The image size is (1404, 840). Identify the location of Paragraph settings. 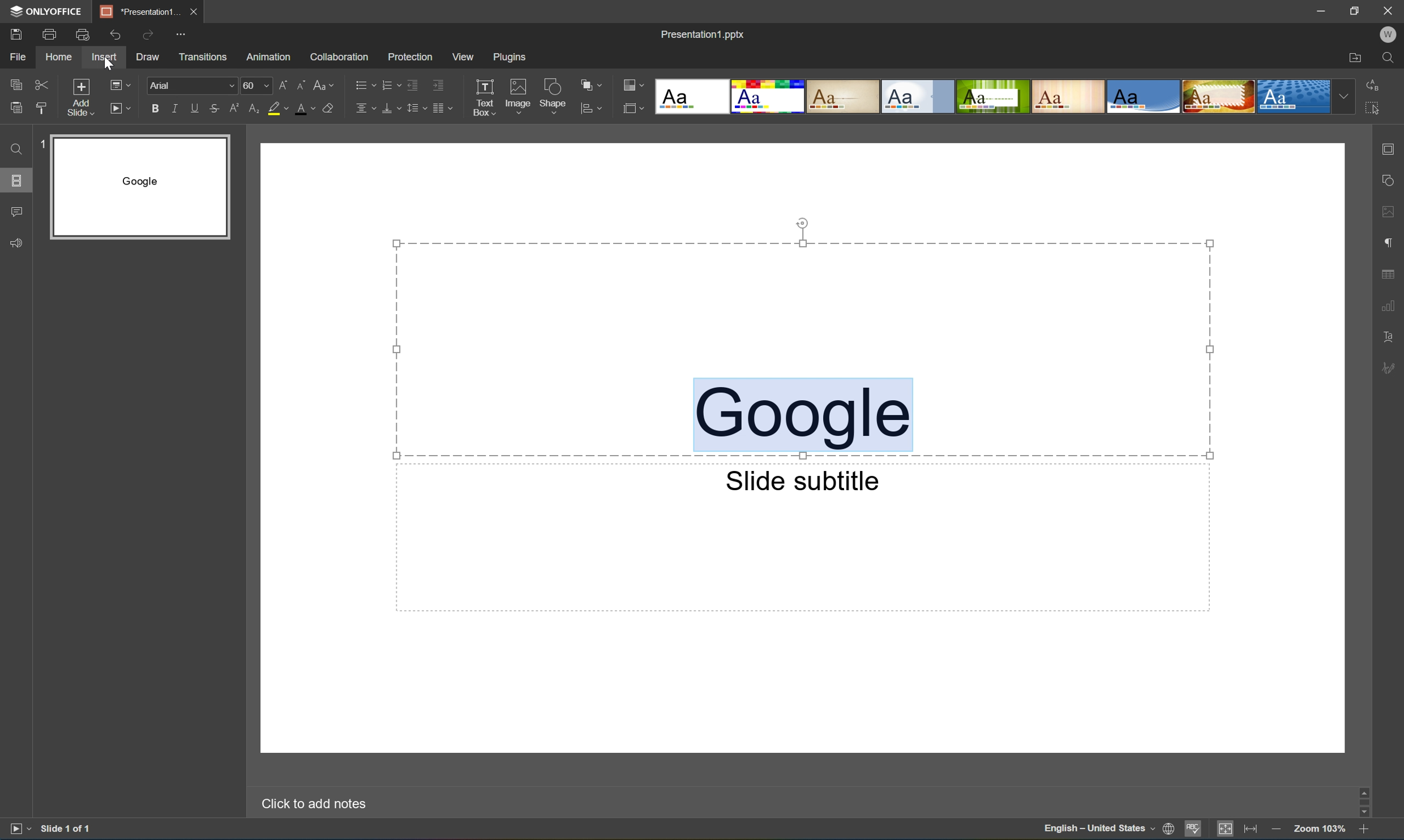
(1387, 244).